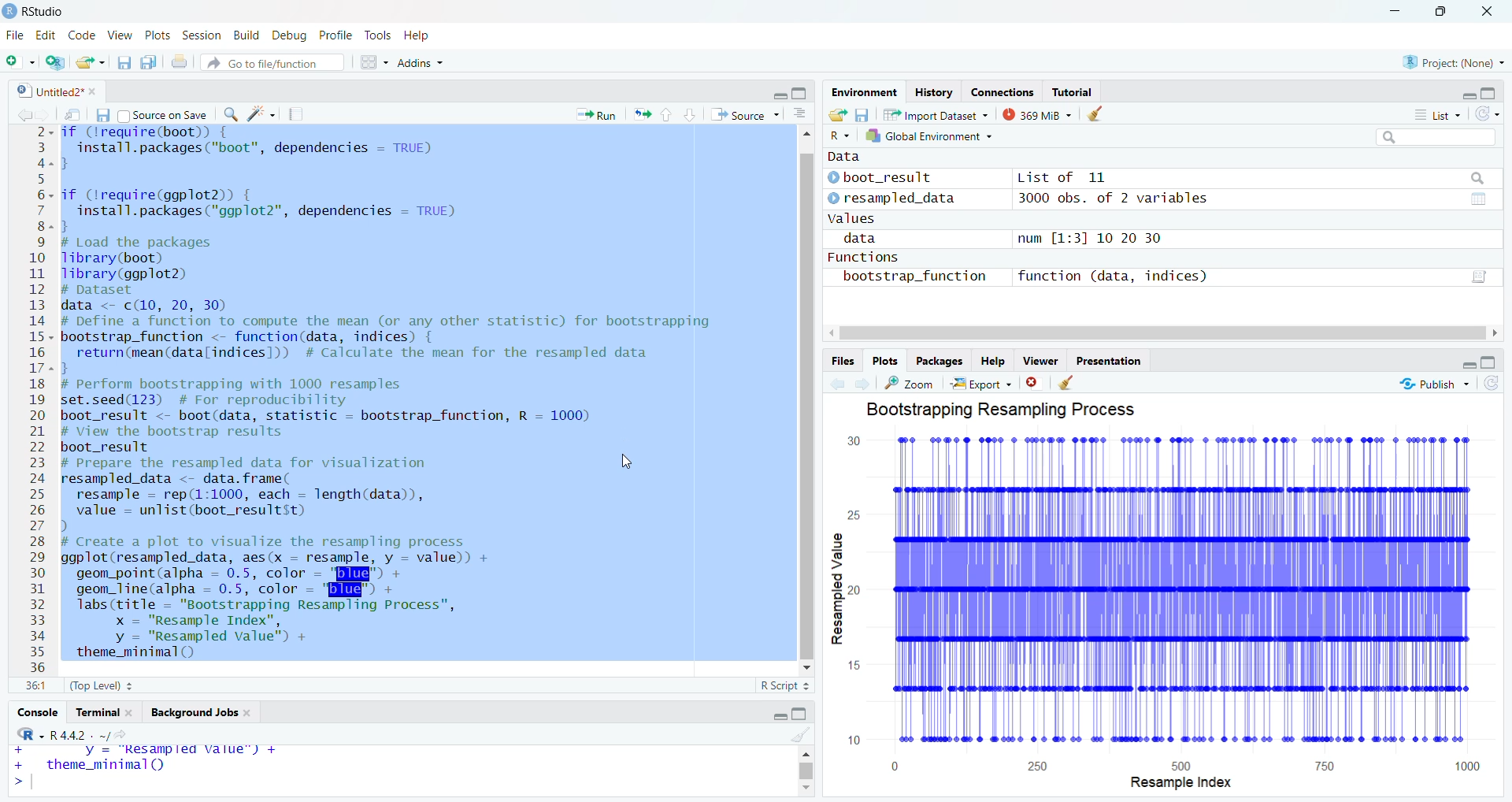 The height and width of the screenshot is (802, 1512). What do you see at coordinates (1042, 360) in the screenshot?
I see `viewer` at bounding box center [1042, 360].